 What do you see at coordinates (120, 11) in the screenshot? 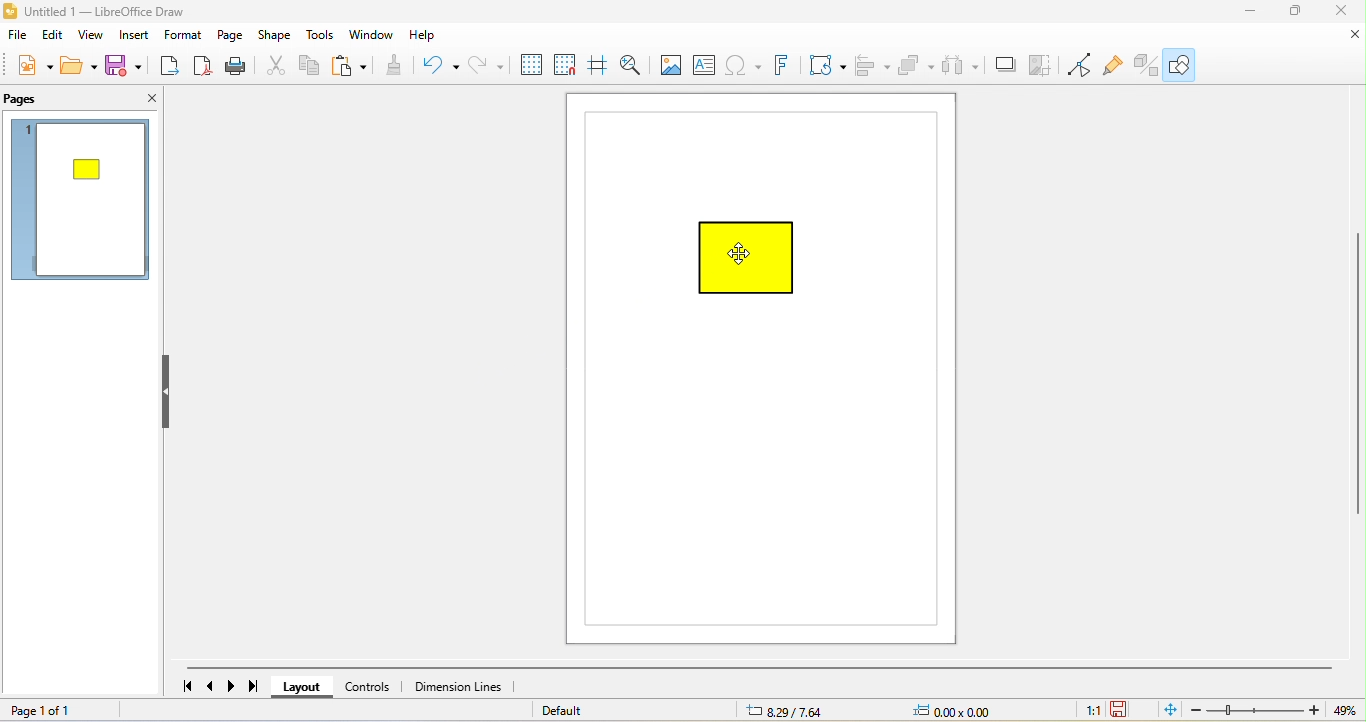
I see `untitled 1- libre office draw` at bounding box center [120, 11].